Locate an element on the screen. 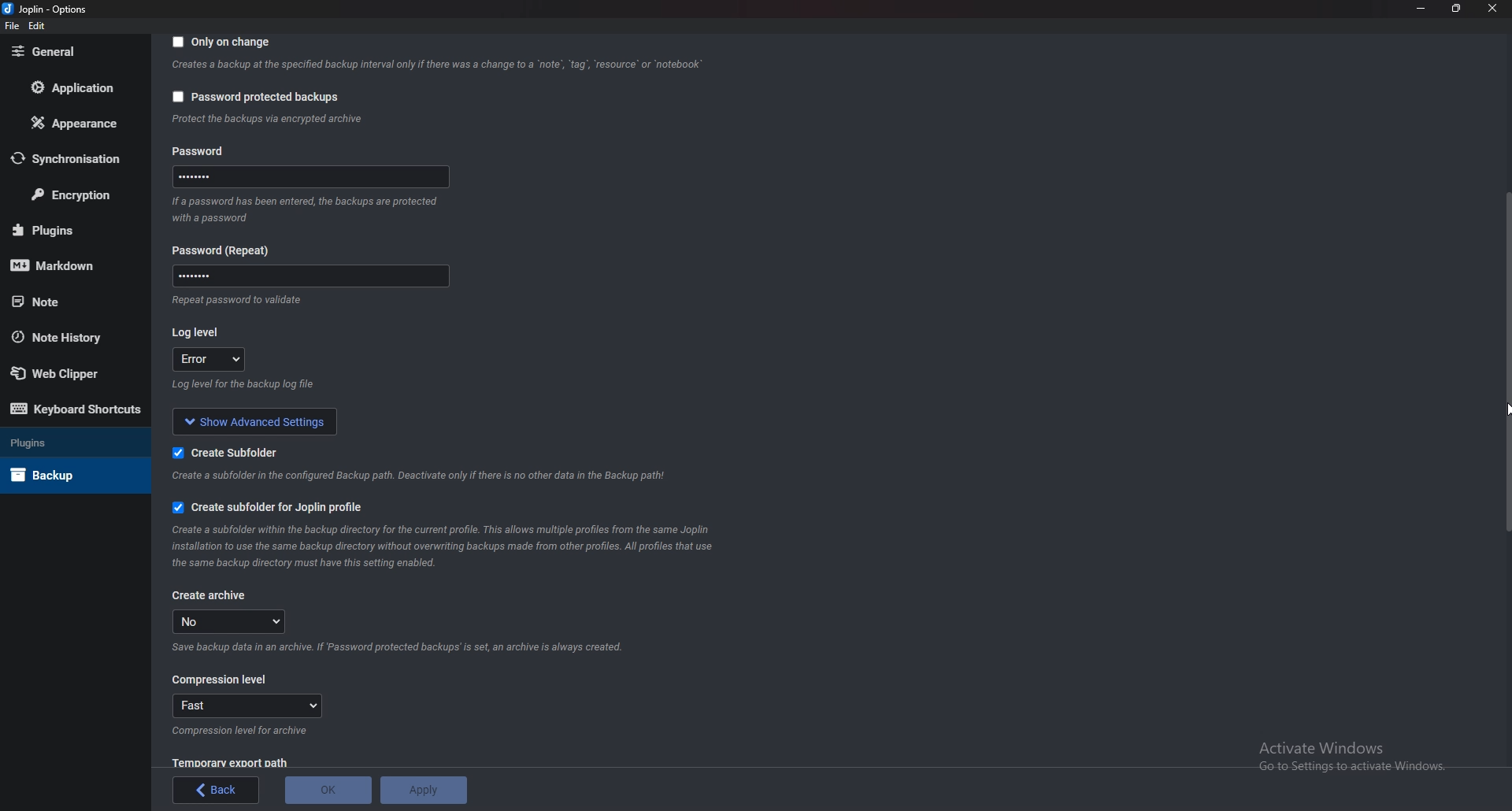  create archive is located at coordinates (210, 595).